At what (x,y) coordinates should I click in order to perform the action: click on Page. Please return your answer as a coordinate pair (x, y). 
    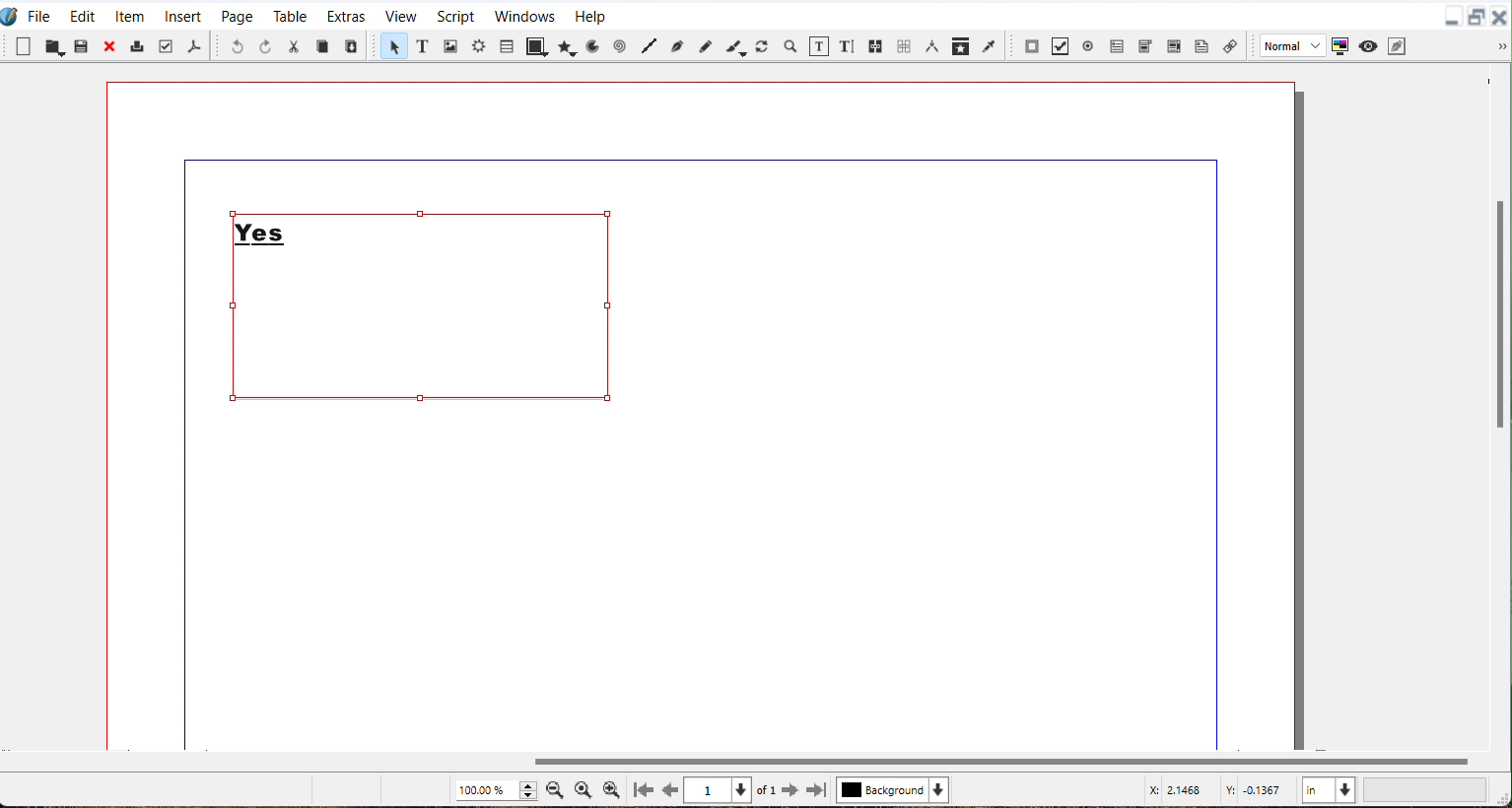
    Looking at the image, I should click on (237, 15).